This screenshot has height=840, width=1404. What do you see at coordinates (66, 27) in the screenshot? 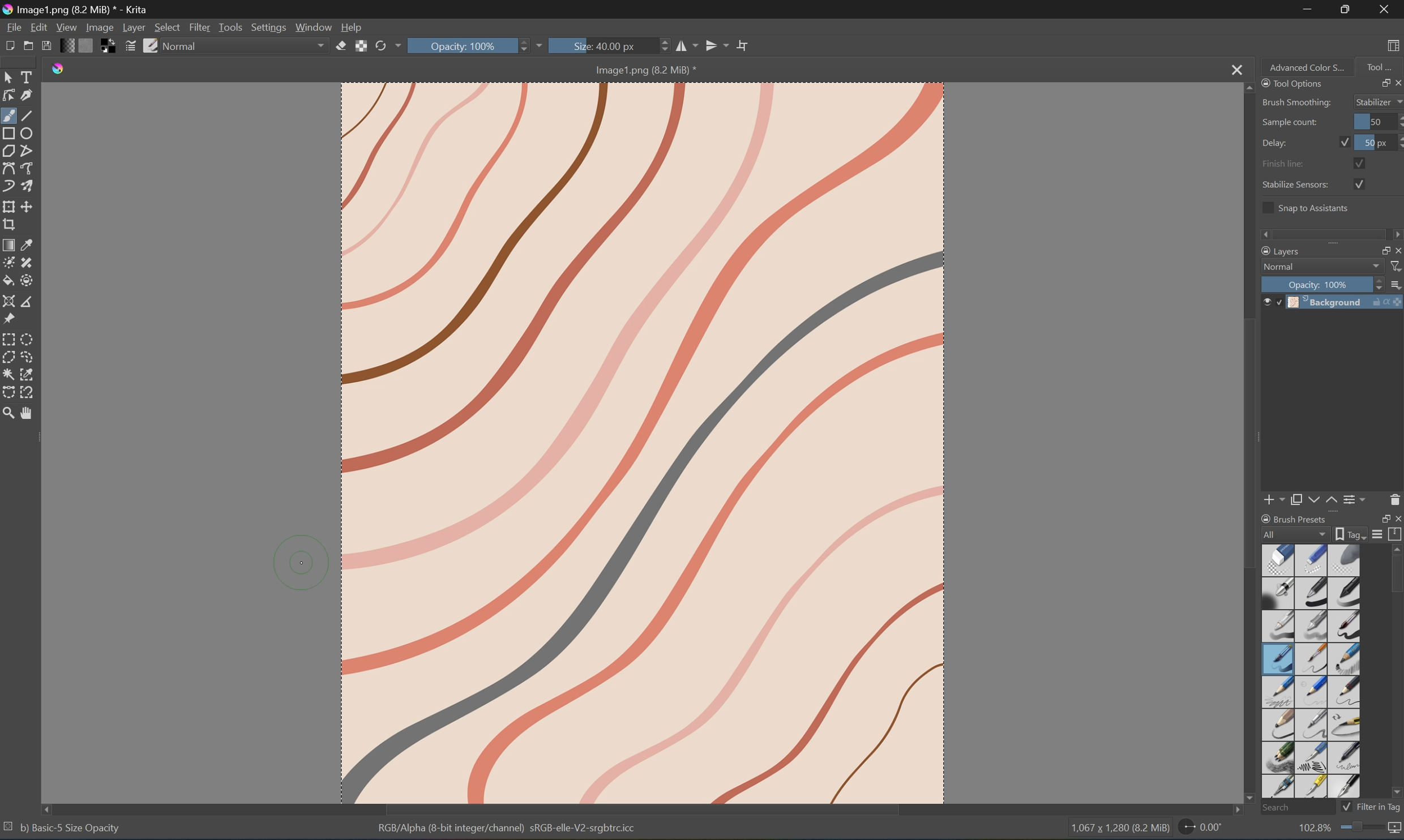
I see `View` at bounding box center [66, 27].